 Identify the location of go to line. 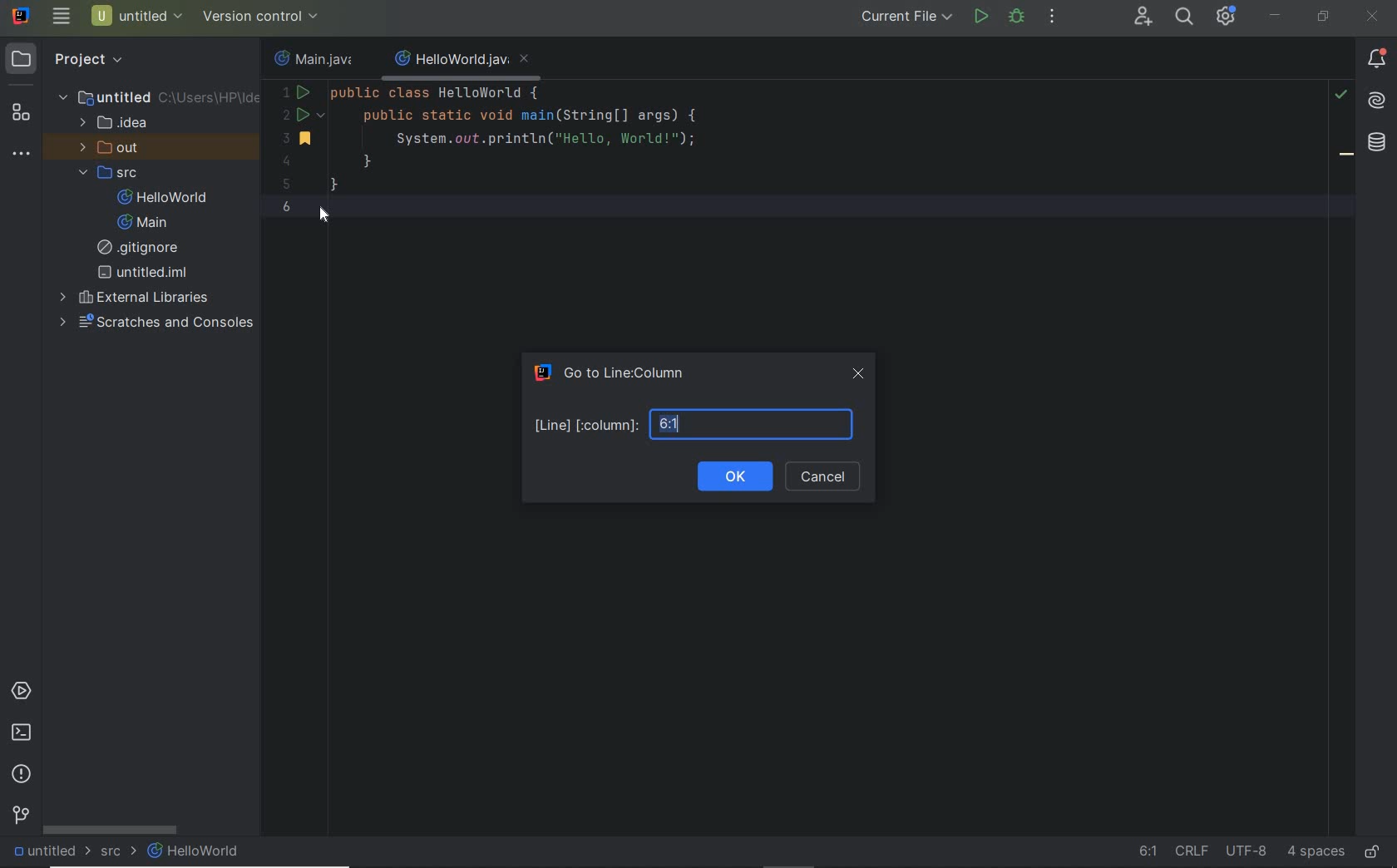
(1148, 849).